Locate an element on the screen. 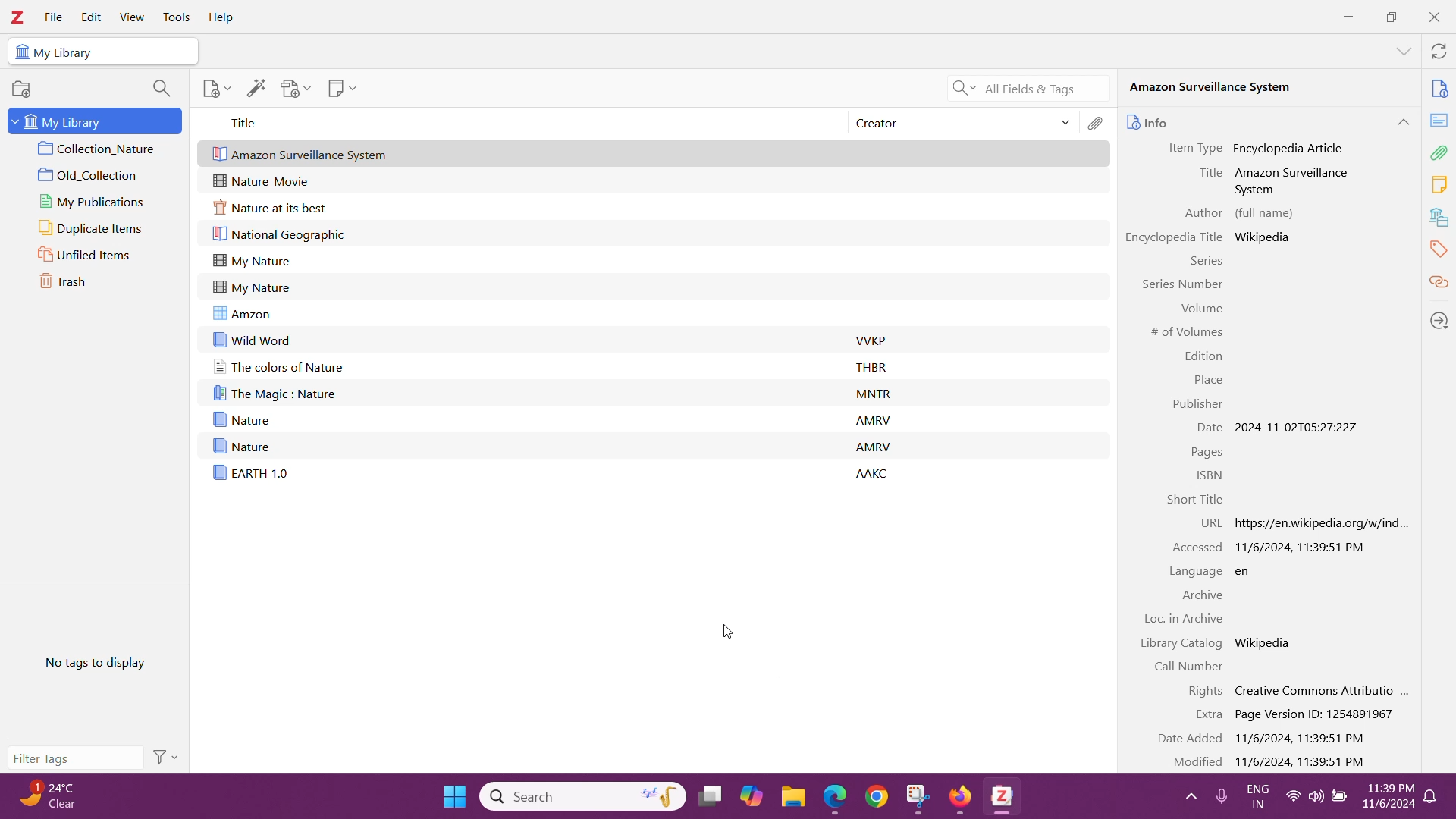  AMRV is located at coordinates (875, 418).